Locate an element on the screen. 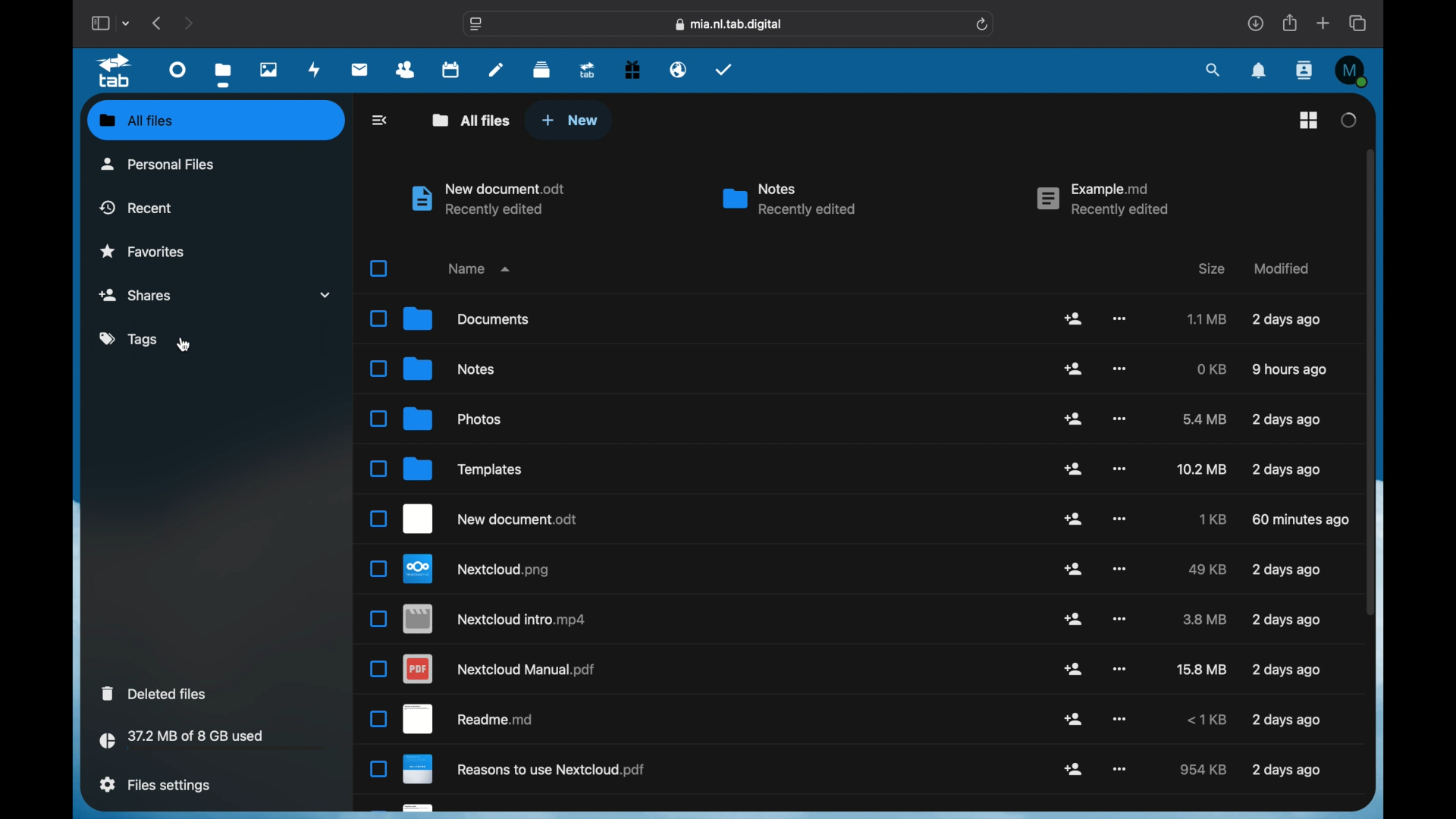 The height and width of the screenshot is (819, 1456). M is located at coordinates (1353, 71).